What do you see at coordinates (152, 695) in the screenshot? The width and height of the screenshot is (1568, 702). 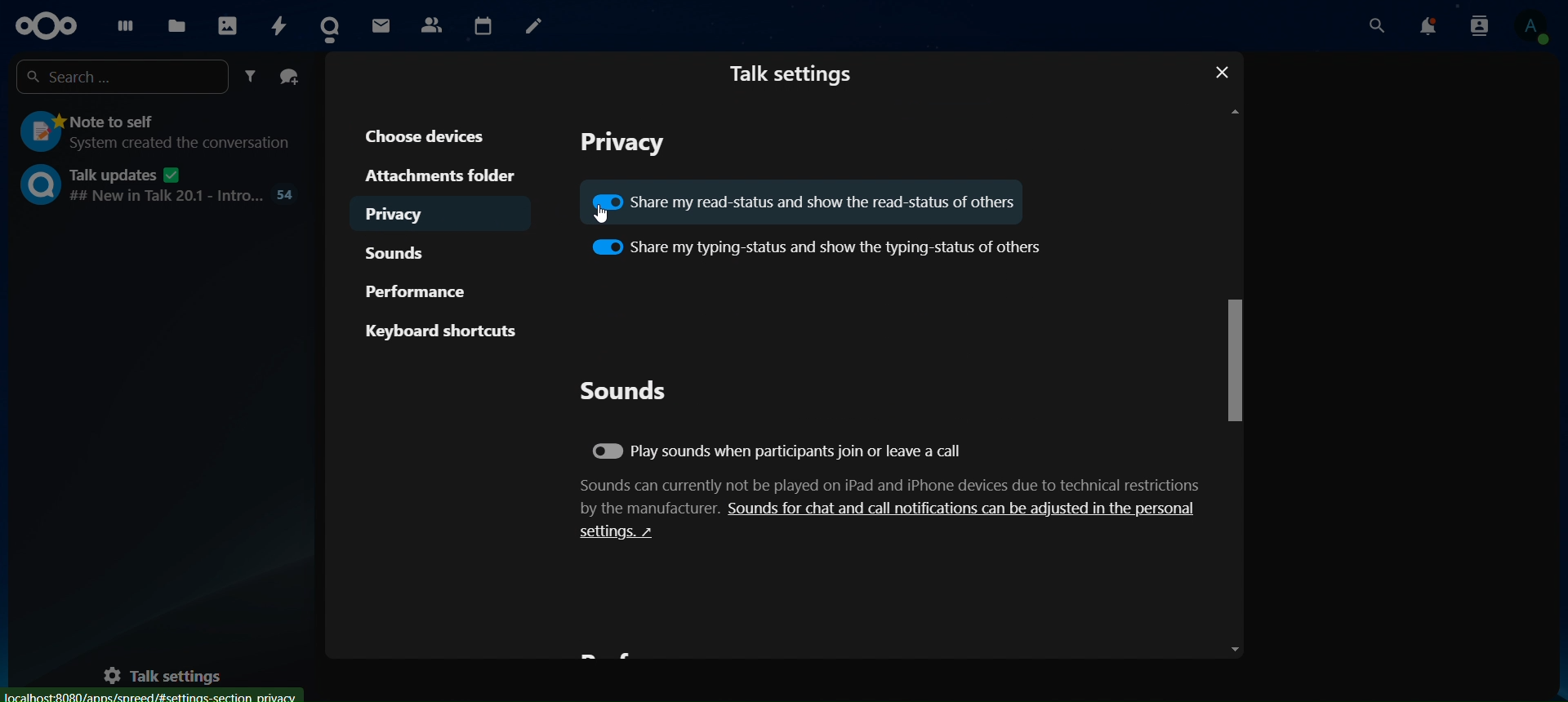 I see `Localhost:8080` at bounding box center [152, 695].